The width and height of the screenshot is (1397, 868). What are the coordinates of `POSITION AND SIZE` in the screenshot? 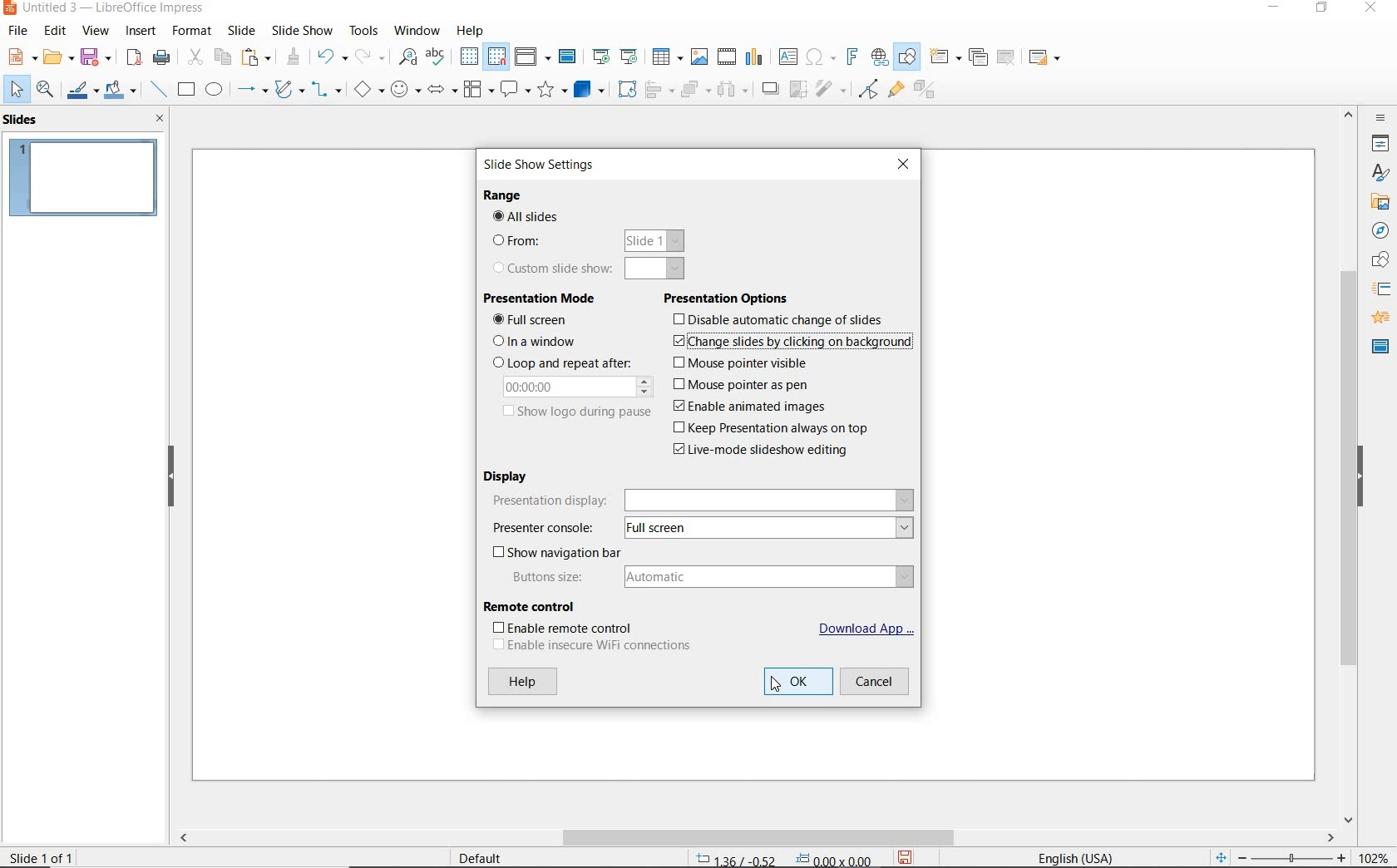 It's located at (781, 857).